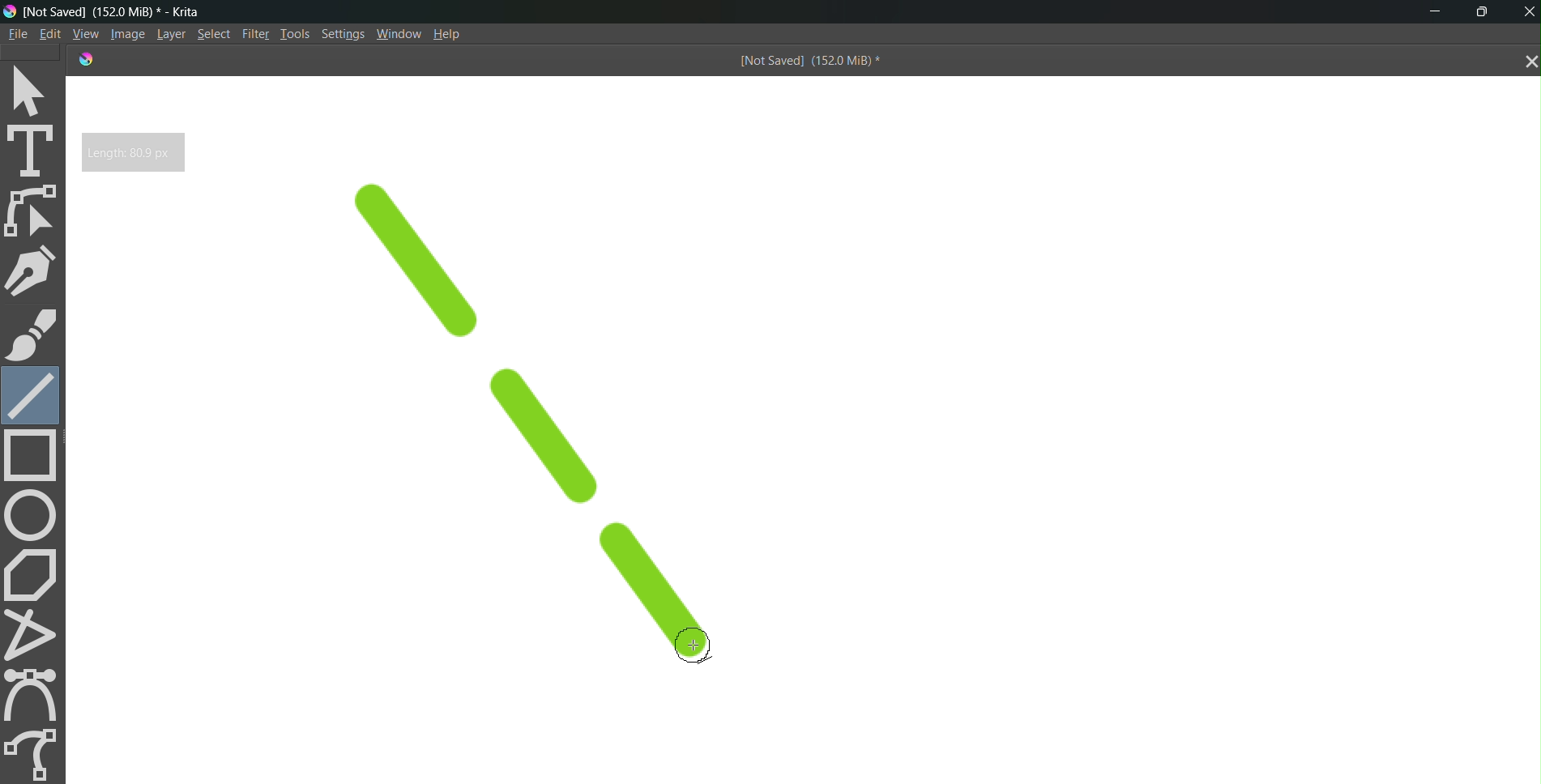  Describe the element at coordinates (344, 36) in the screenshot. I see `Settings` at that location.